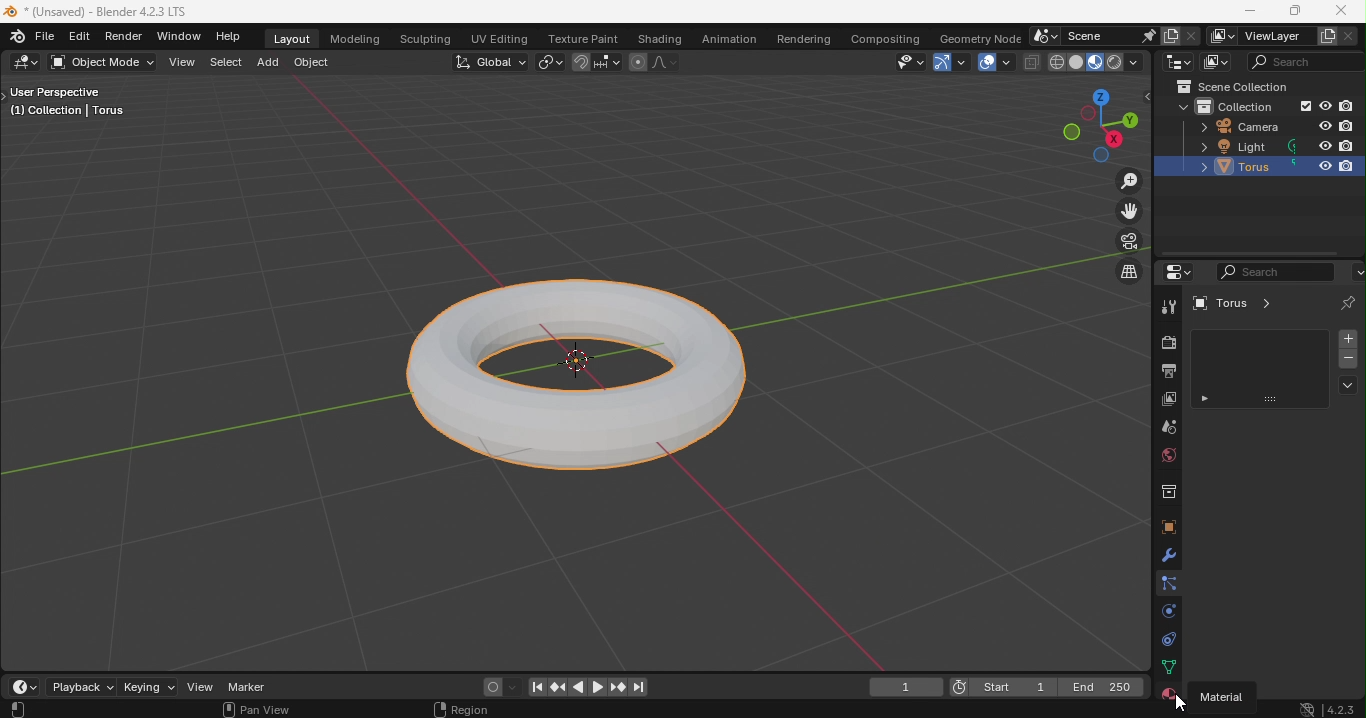 The image size is (1366, 718). What do you see at coordinates (1352, 36) in the screenshot?
I see `Remove view layer` at bounding box center [1352, 36].